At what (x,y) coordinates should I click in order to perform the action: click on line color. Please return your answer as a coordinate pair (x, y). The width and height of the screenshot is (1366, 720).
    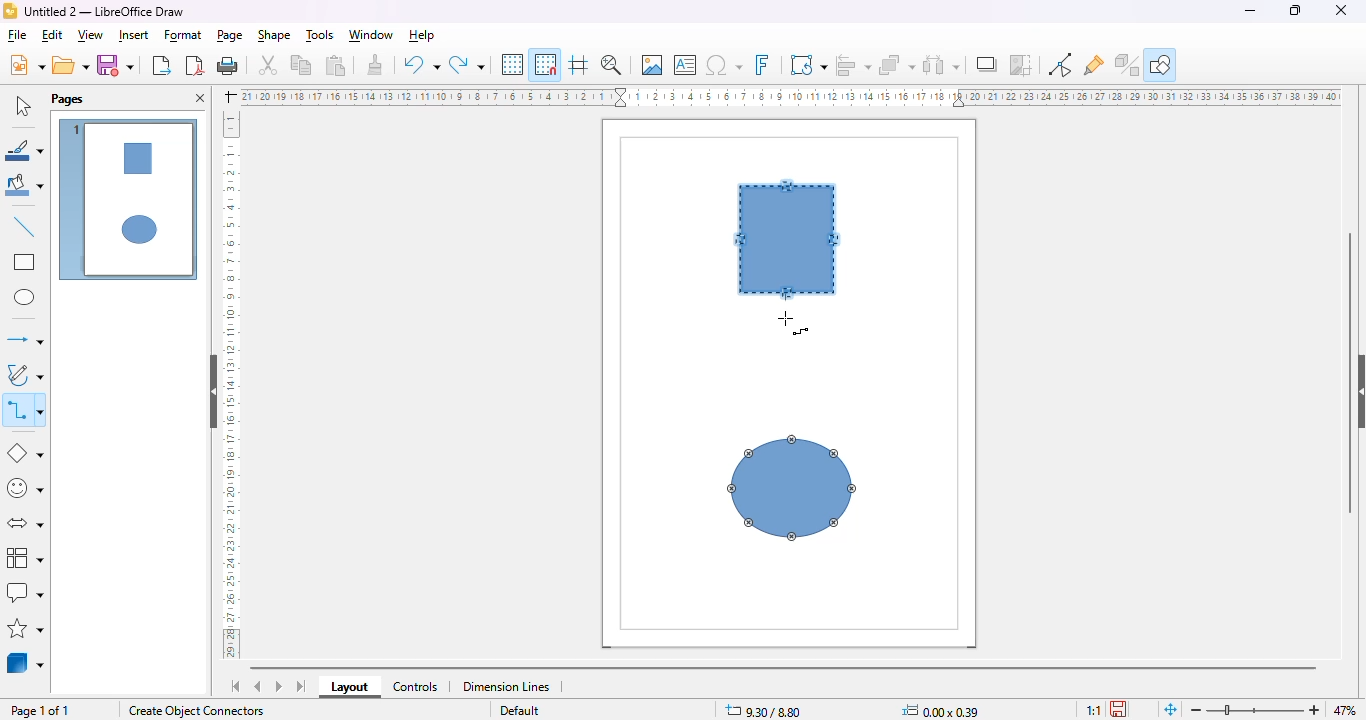
    Looking at the image, I should click on (24, 150).